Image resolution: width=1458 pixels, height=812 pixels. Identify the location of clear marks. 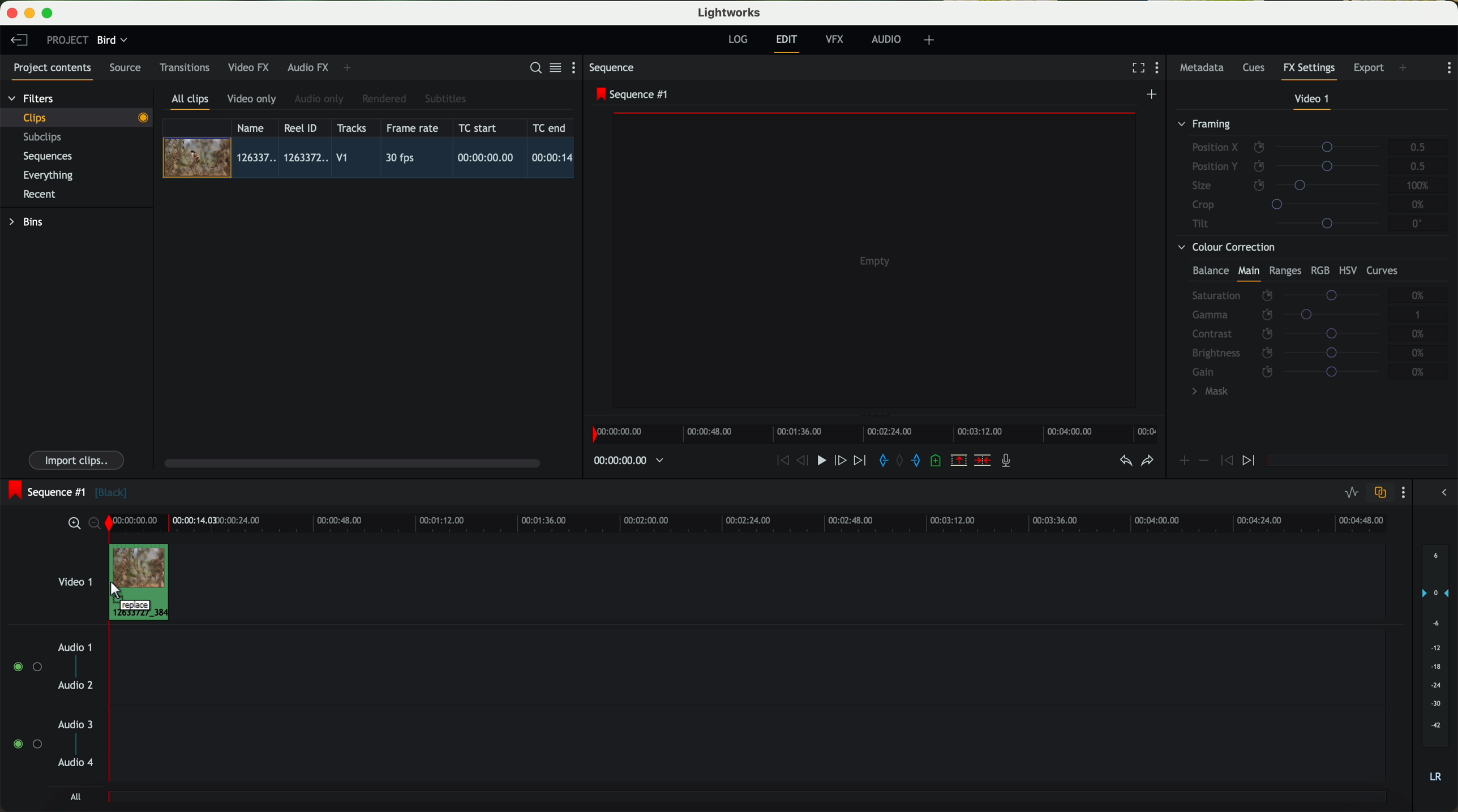
(900, 461).